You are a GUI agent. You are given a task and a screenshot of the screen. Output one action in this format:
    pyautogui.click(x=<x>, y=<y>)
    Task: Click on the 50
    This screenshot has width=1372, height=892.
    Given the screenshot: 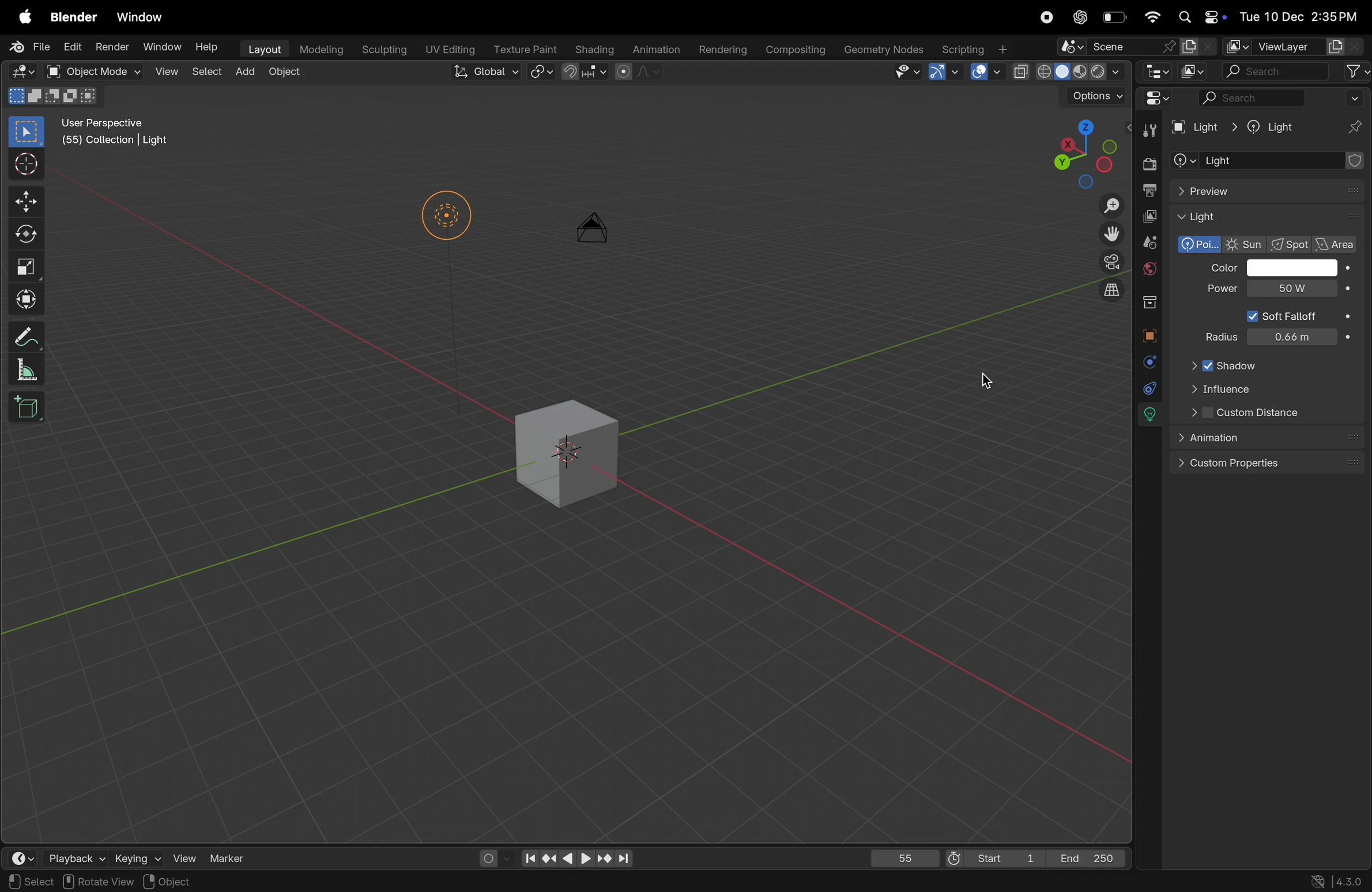 What is the action you would take?
    pyautogui.click(x=1265, y=288)
    